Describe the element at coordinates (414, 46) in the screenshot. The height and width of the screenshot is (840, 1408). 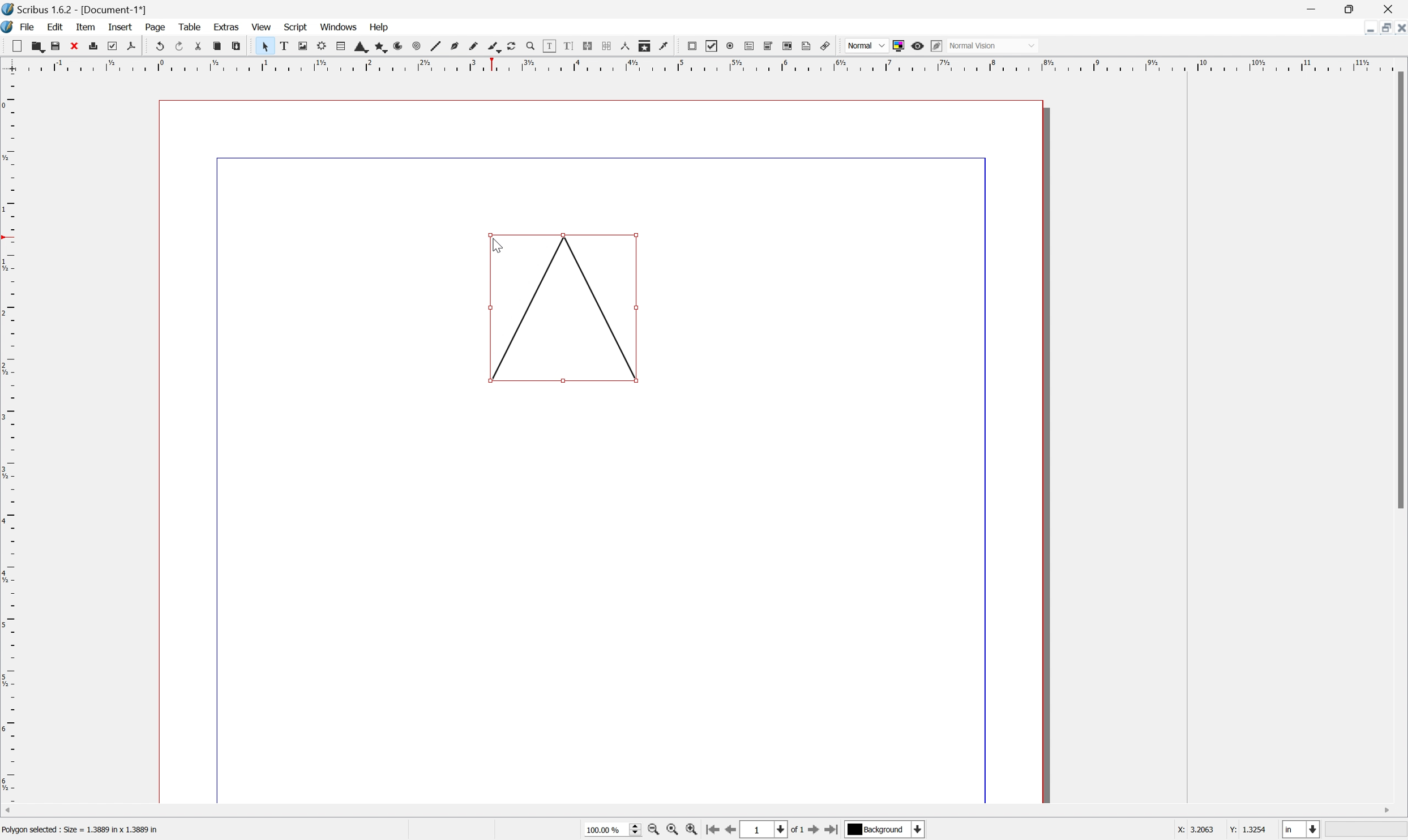
I see `Spiral` at that location.